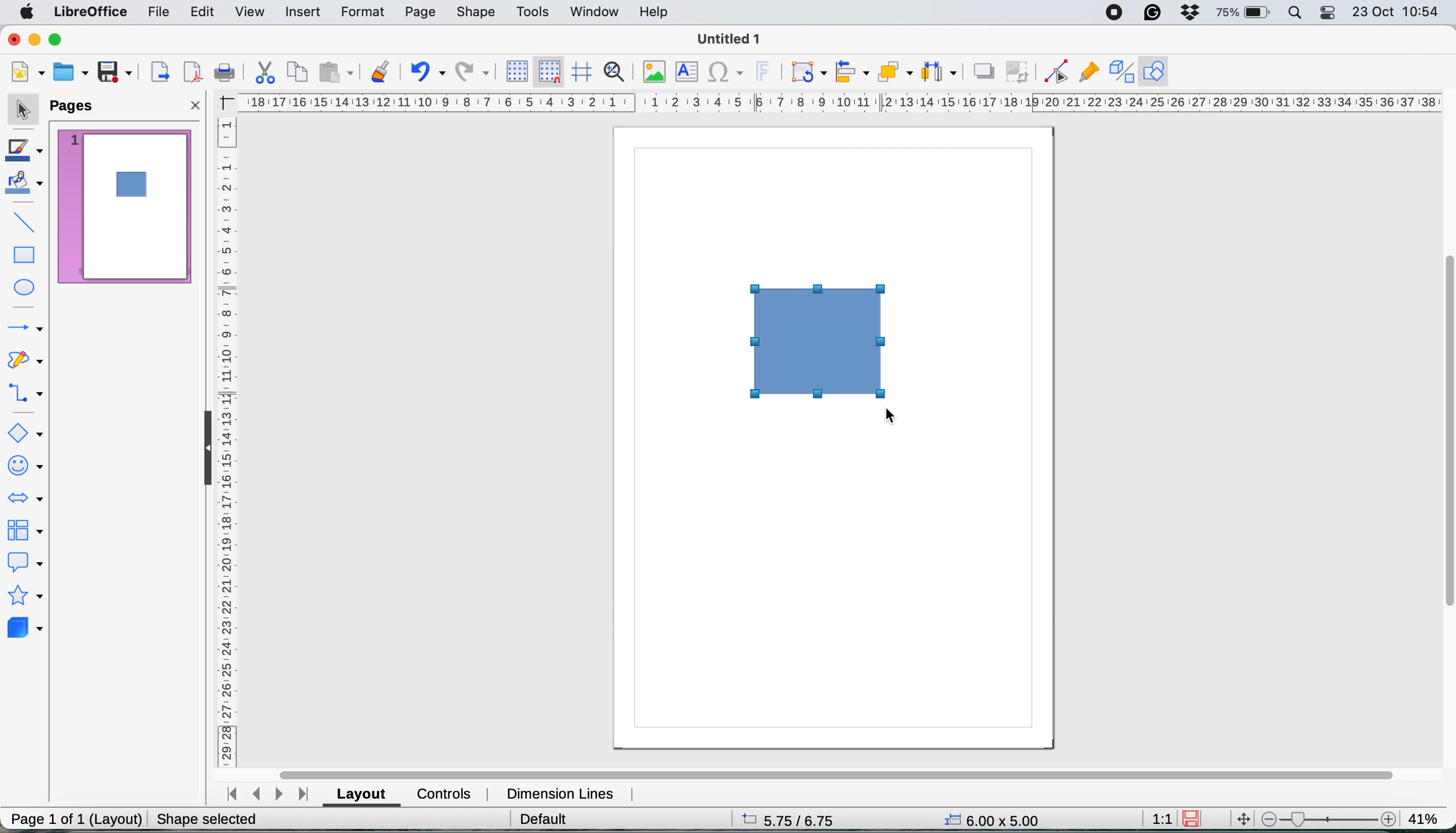 Image resolution: width=1456 pixels, height=833 pixels. I want to click on insert line, so click(21, 220).